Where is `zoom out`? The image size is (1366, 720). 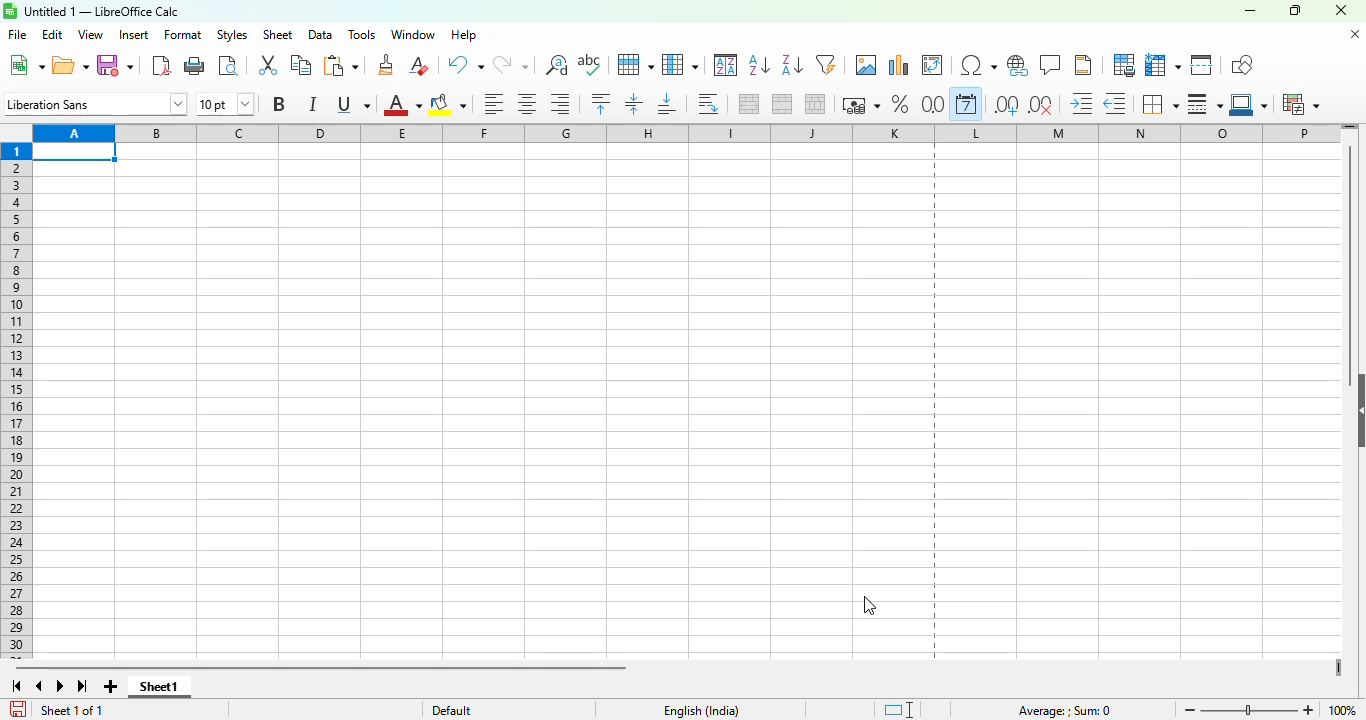 zoom out is located at coordinates (1190, 710).